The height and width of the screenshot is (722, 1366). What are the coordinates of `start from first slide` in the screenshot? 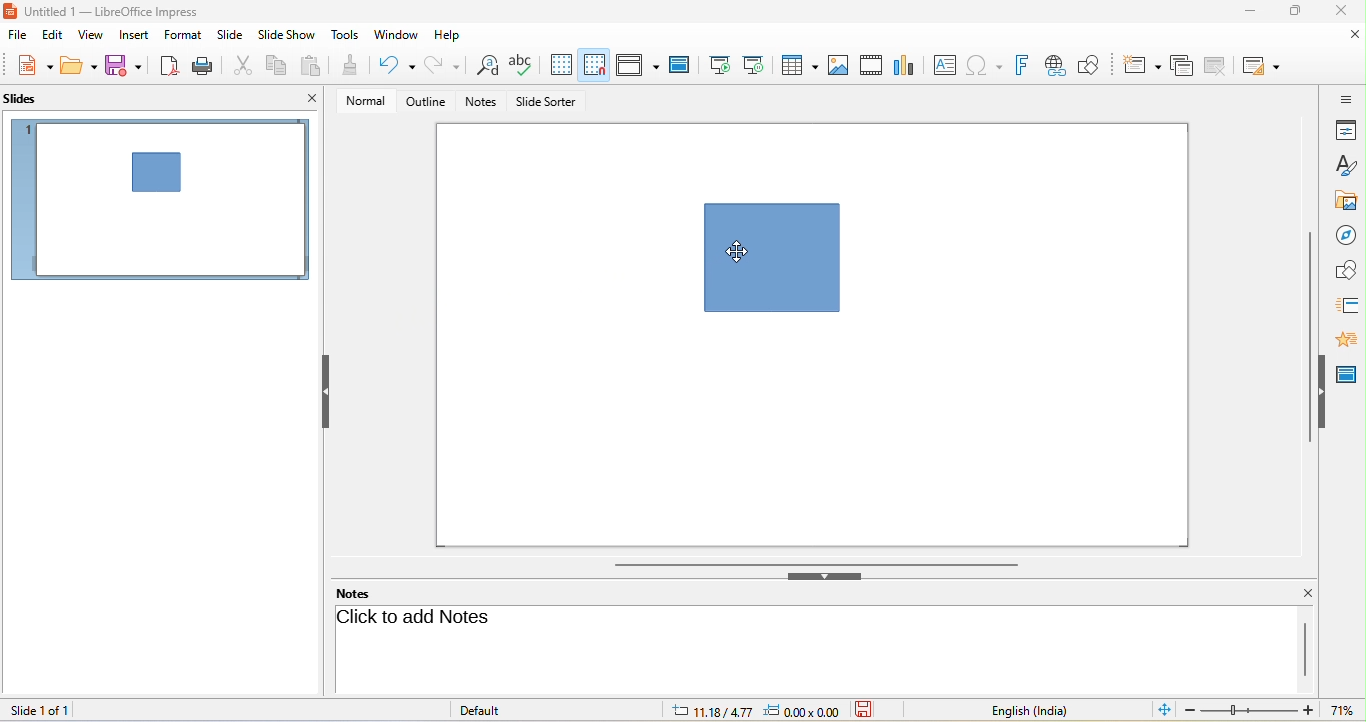 It's located at (719, 63).